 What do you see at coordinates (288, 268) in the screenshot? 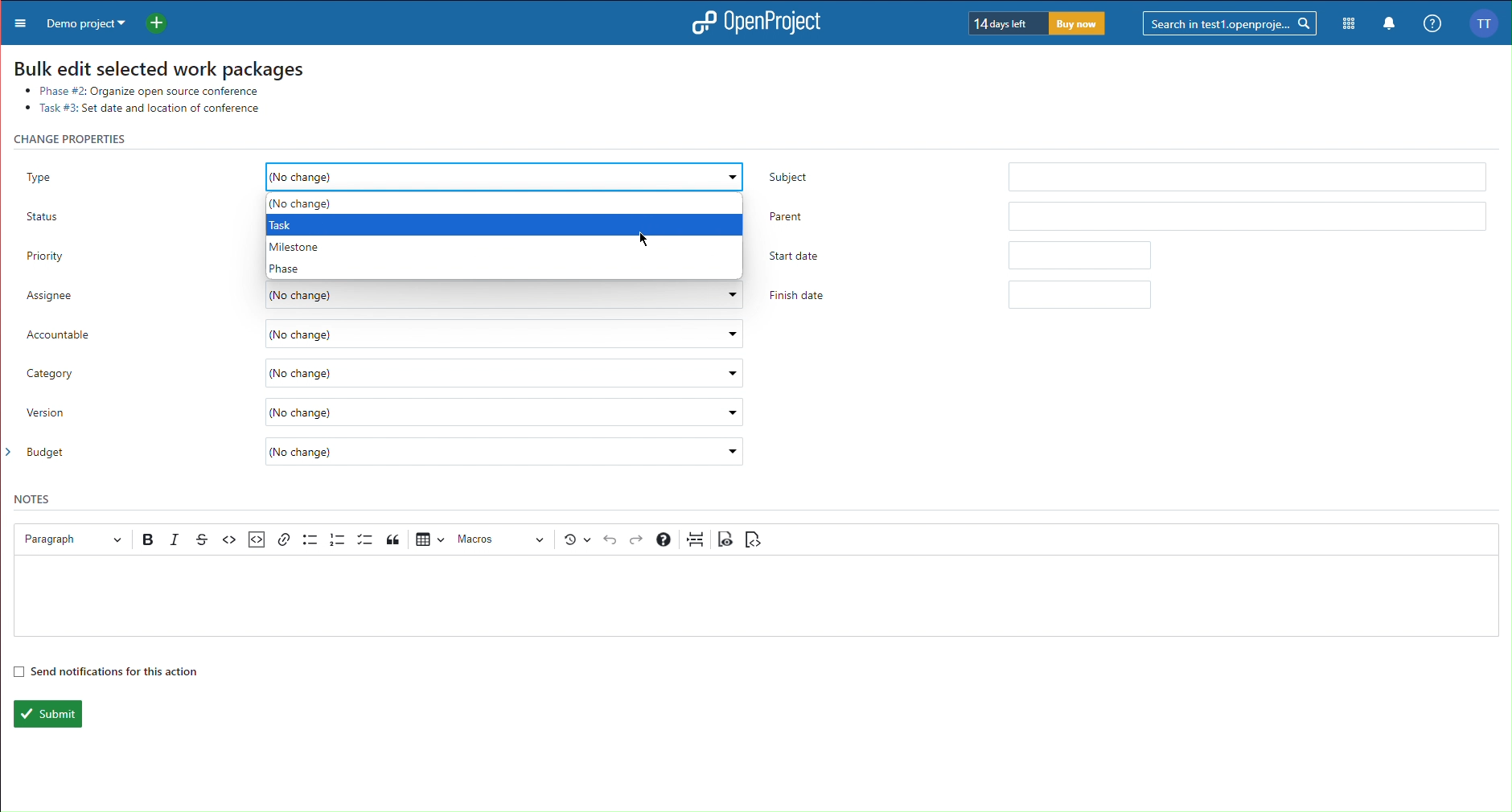
I see `Phase` at bounding box center [288, 268].